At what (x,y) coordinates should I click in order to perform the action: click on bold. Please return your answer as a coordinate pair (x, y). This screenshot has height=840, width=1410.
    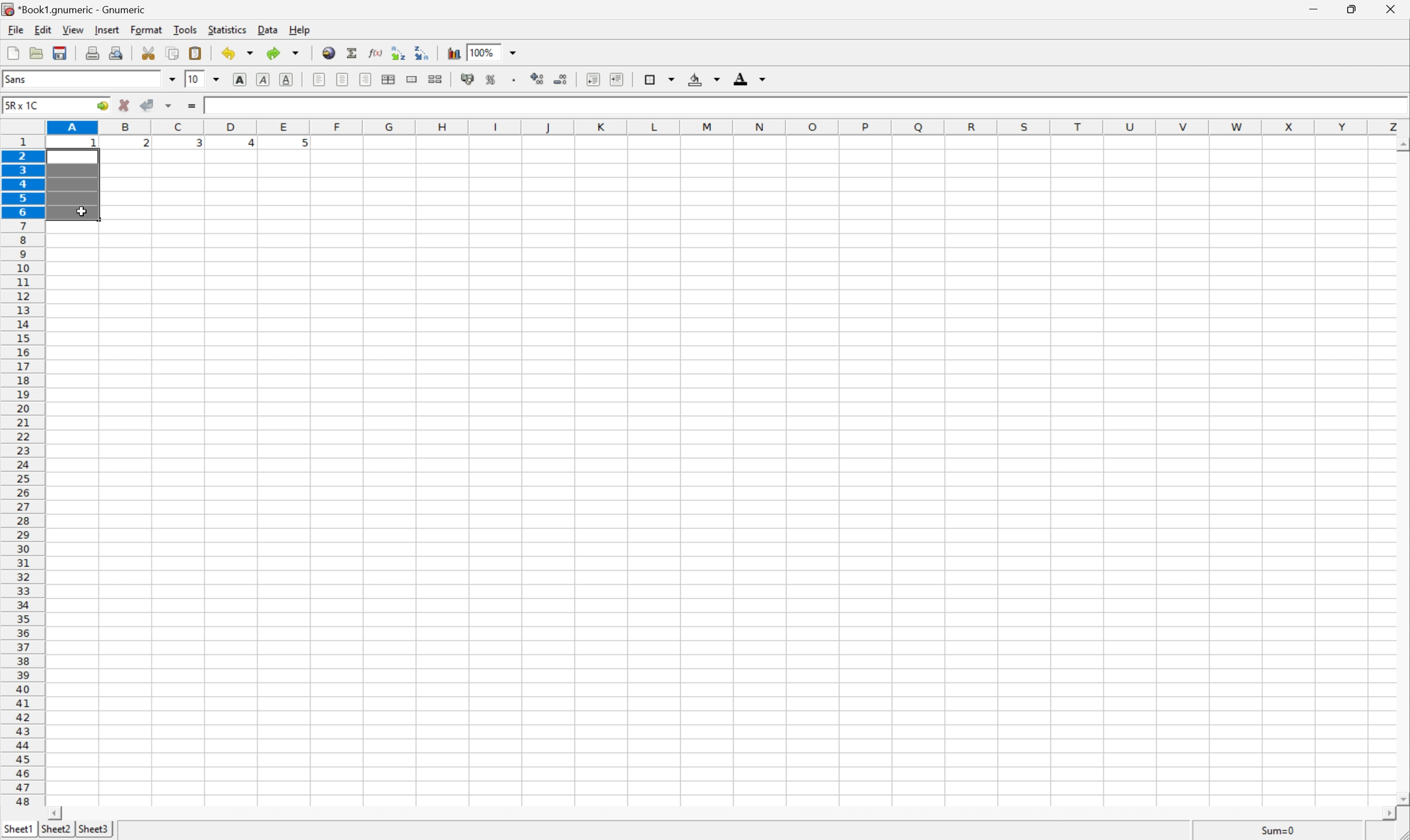
    Looking at the image, I should click on (242, 79).